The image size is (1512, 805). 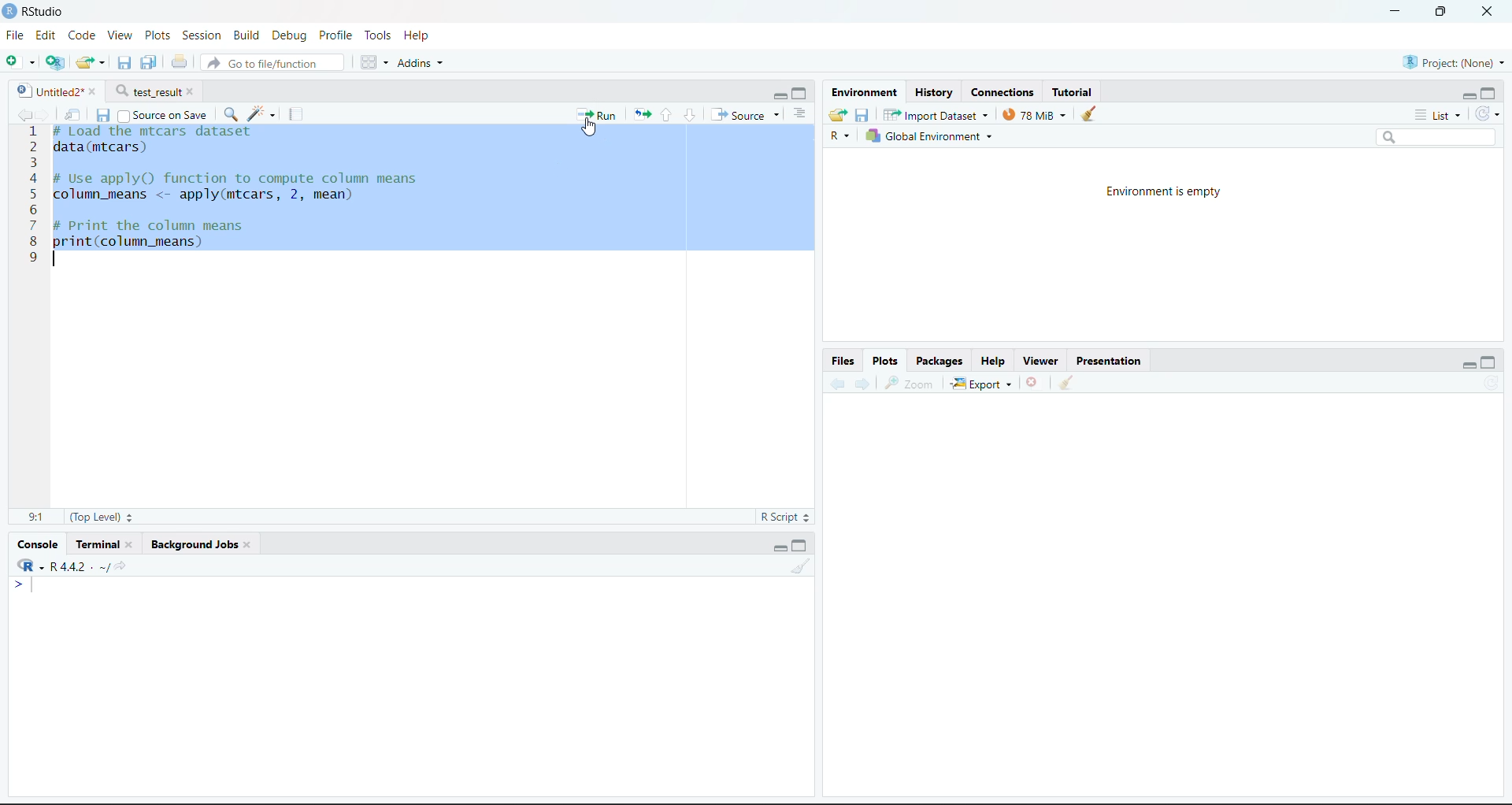 I want to click on New File, so click(x=21, y=61).